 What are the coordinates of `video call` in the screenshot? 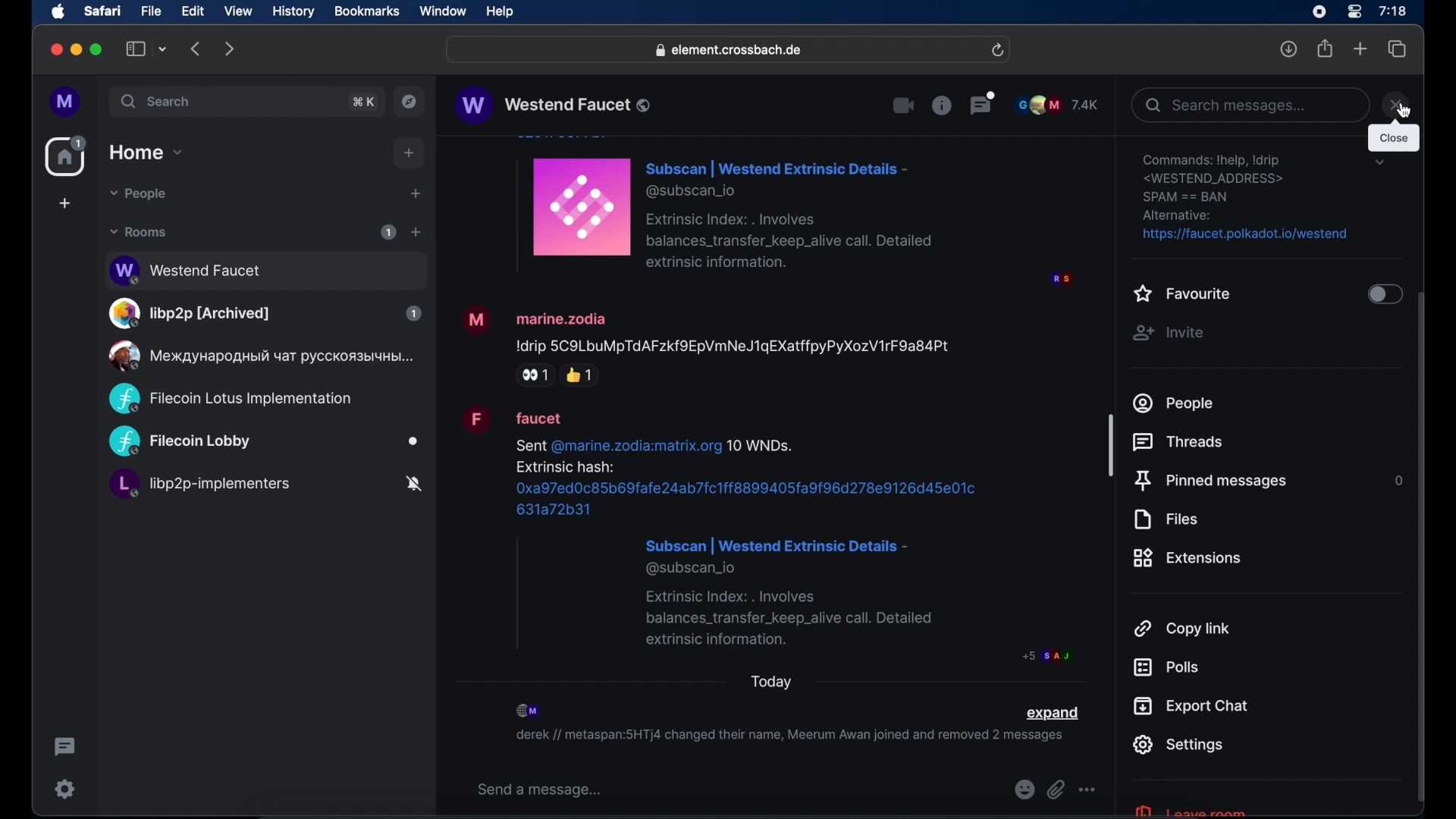 It's located at (904, 106).